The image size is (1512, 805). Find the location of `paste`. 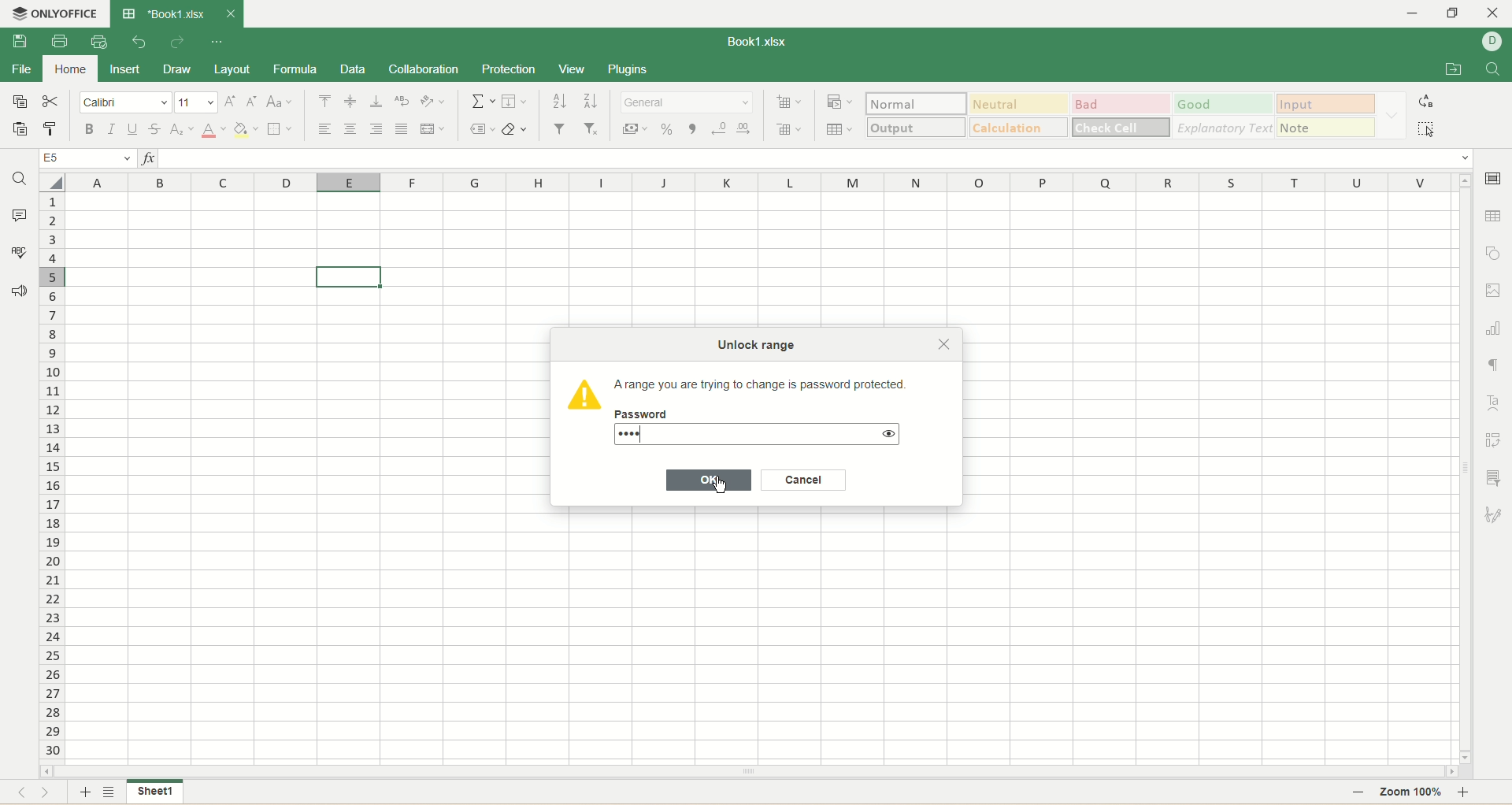

paste is located at coordinates (20, 131).